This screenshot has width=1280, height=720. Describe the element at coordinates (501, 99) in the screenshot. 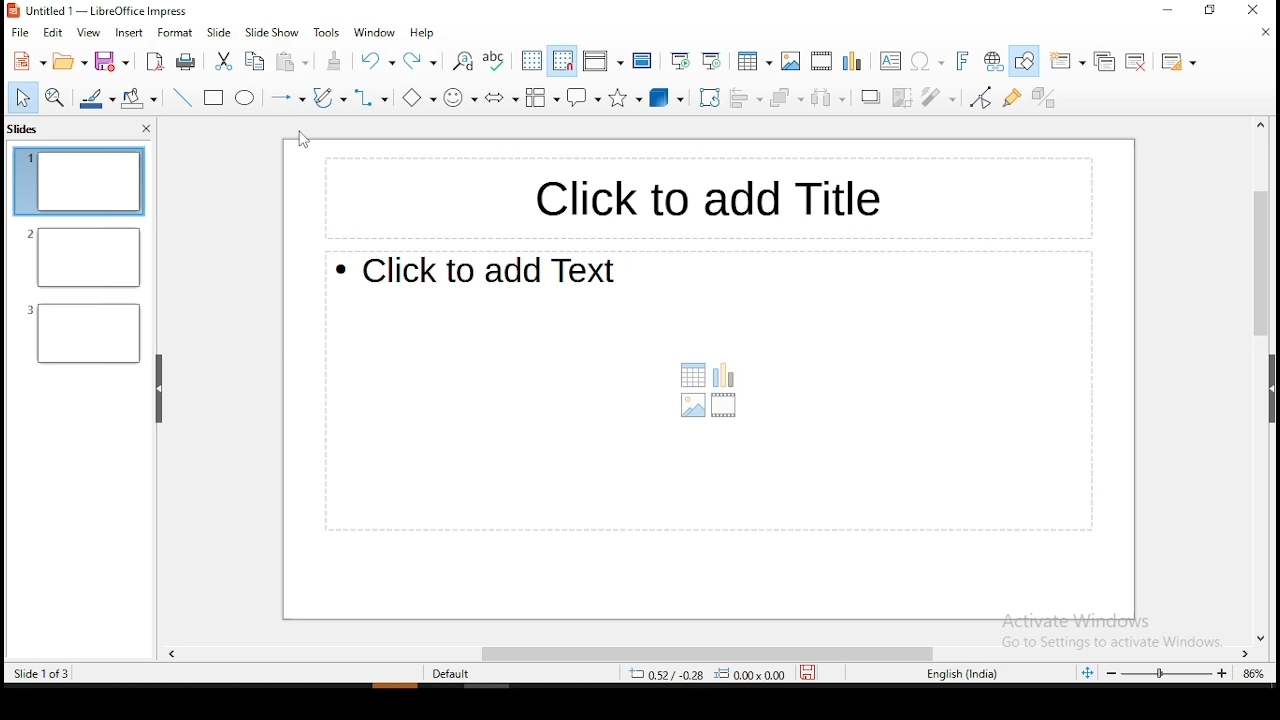

I see `` at that location.